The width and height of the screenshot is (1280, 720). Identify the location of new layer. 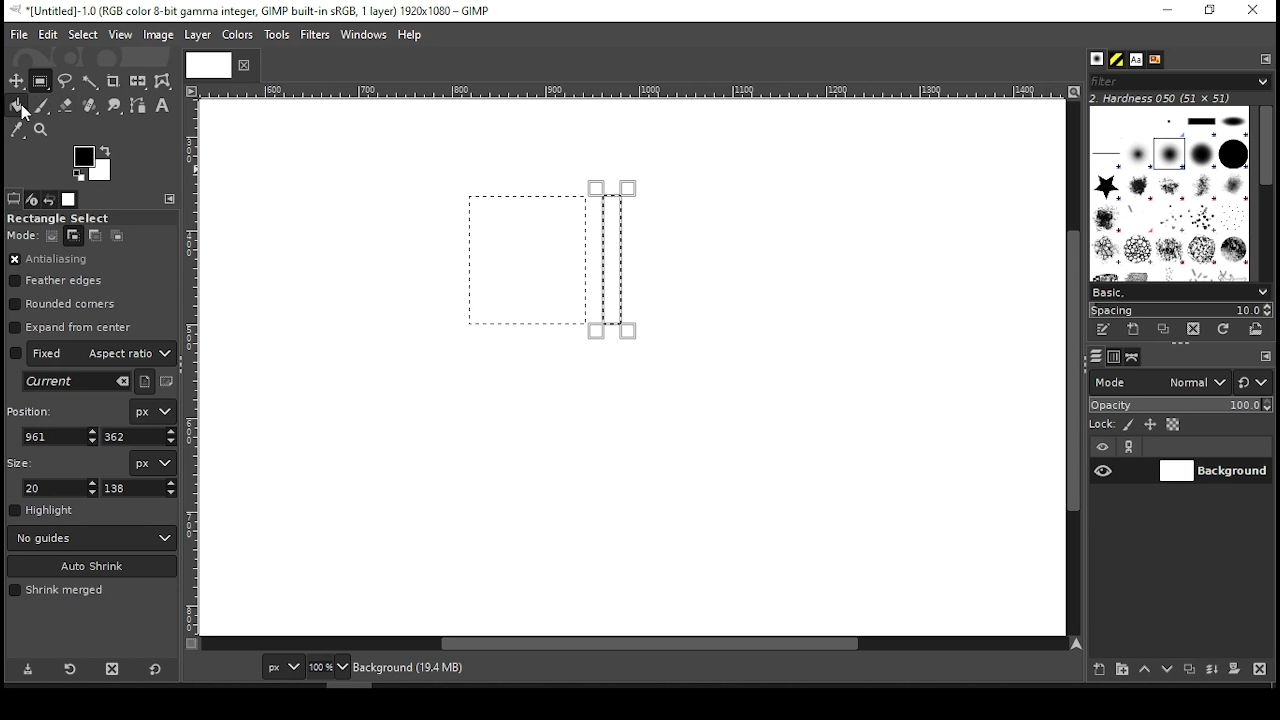
(1095, 667).